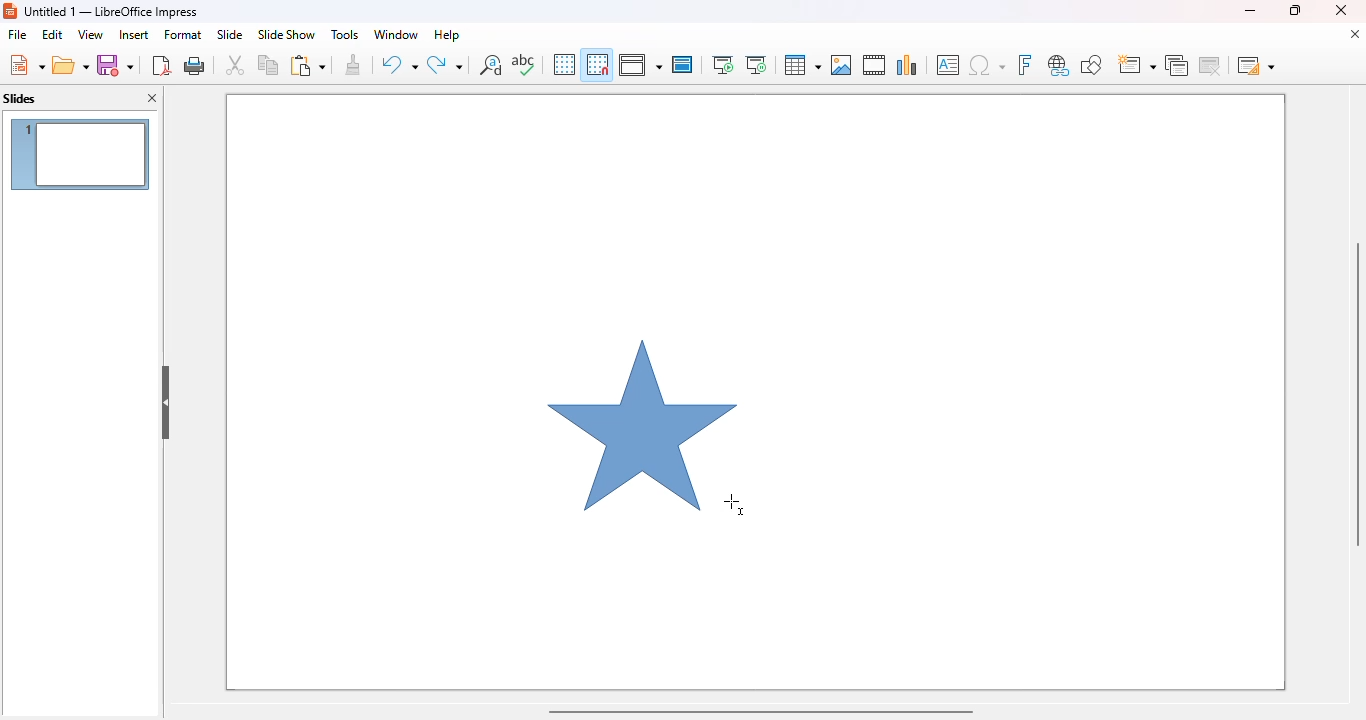 This screenshot has width=1366, height=720. What do you see at coordinates (286, 35) in the screenshot?
I see `slide show` at bounding box center [286, 35].